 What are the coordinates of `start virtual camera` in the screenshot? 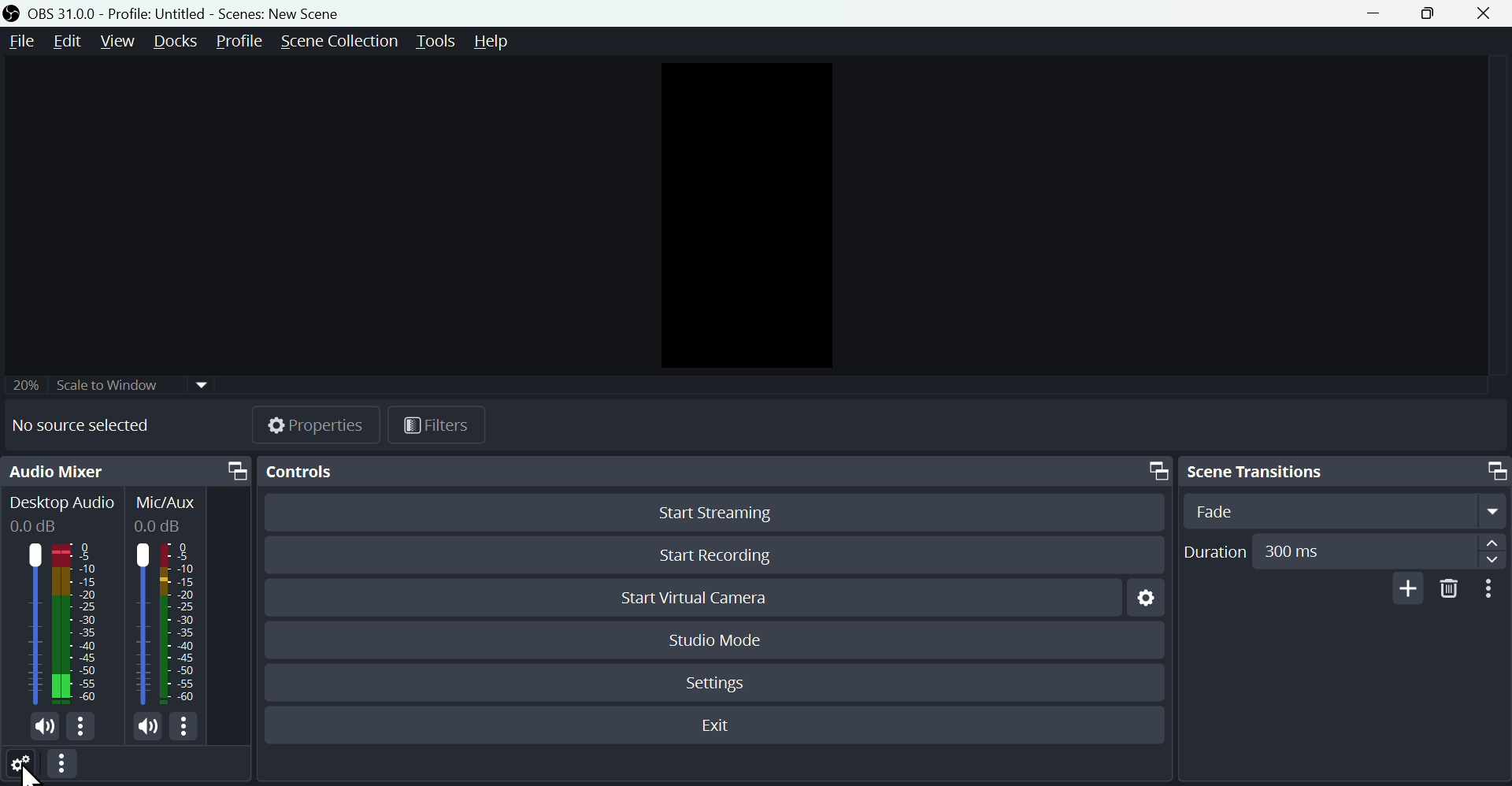 It's located at (708, 597).